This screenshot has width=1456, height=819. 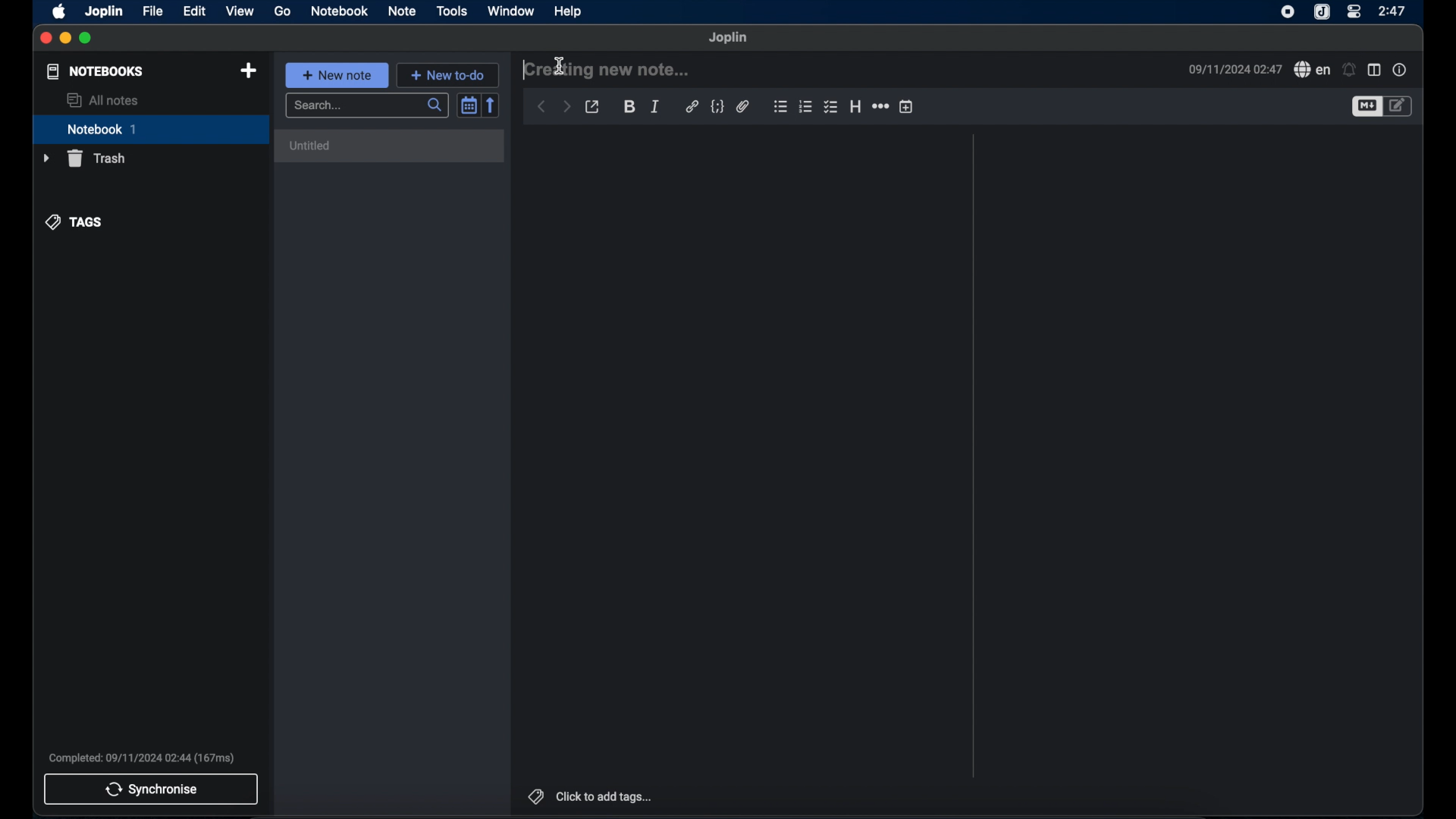 I want to click on notebooks, so click(x=95, y=71).